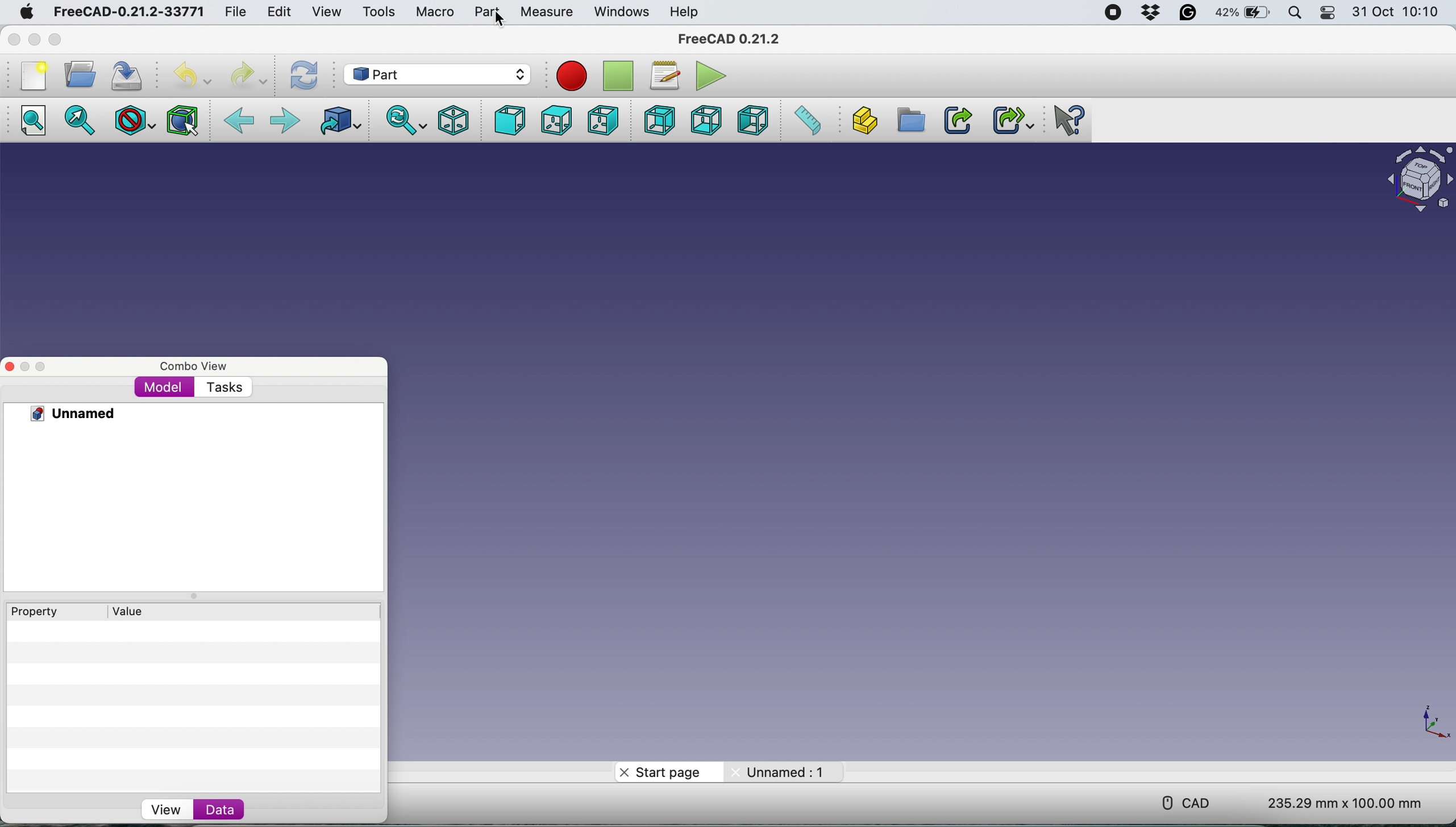  Describe the element at coordinates (1295, 12) in the screenshot. I see `Spotlight Search` at that location.